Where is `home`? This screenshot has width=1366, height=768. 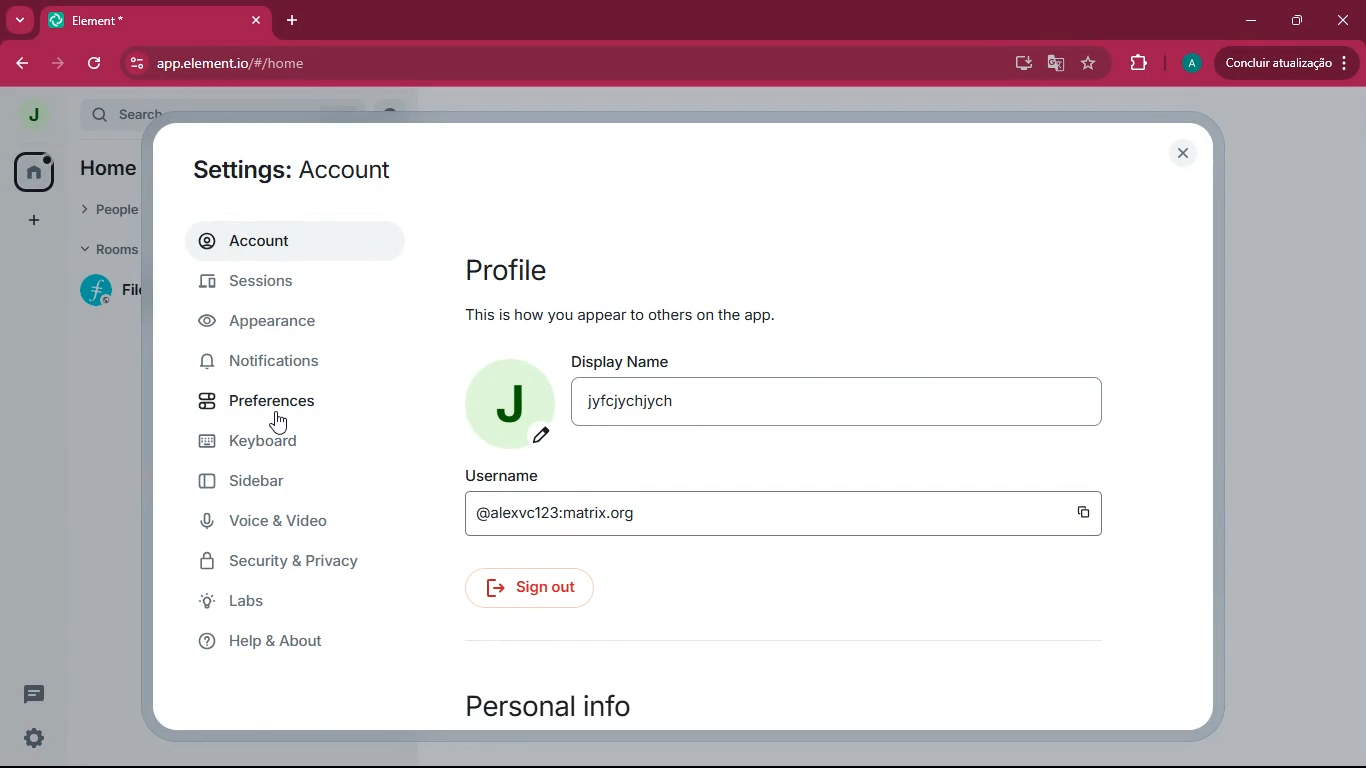
home is located at coordinates (33, 171).